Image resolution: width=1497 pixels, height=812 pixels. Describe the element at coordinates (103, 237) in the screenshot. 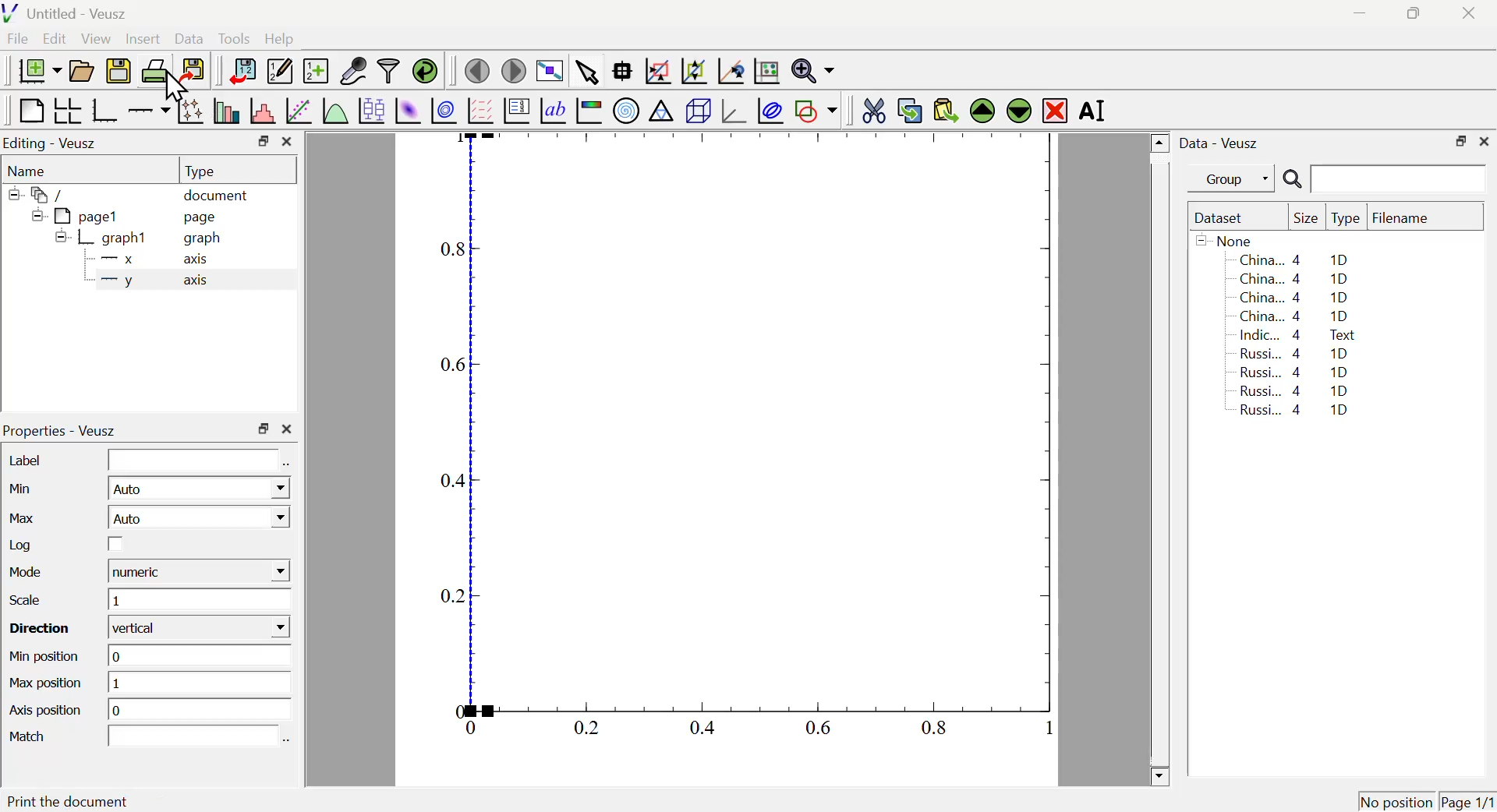

I see `graph1` at that location.